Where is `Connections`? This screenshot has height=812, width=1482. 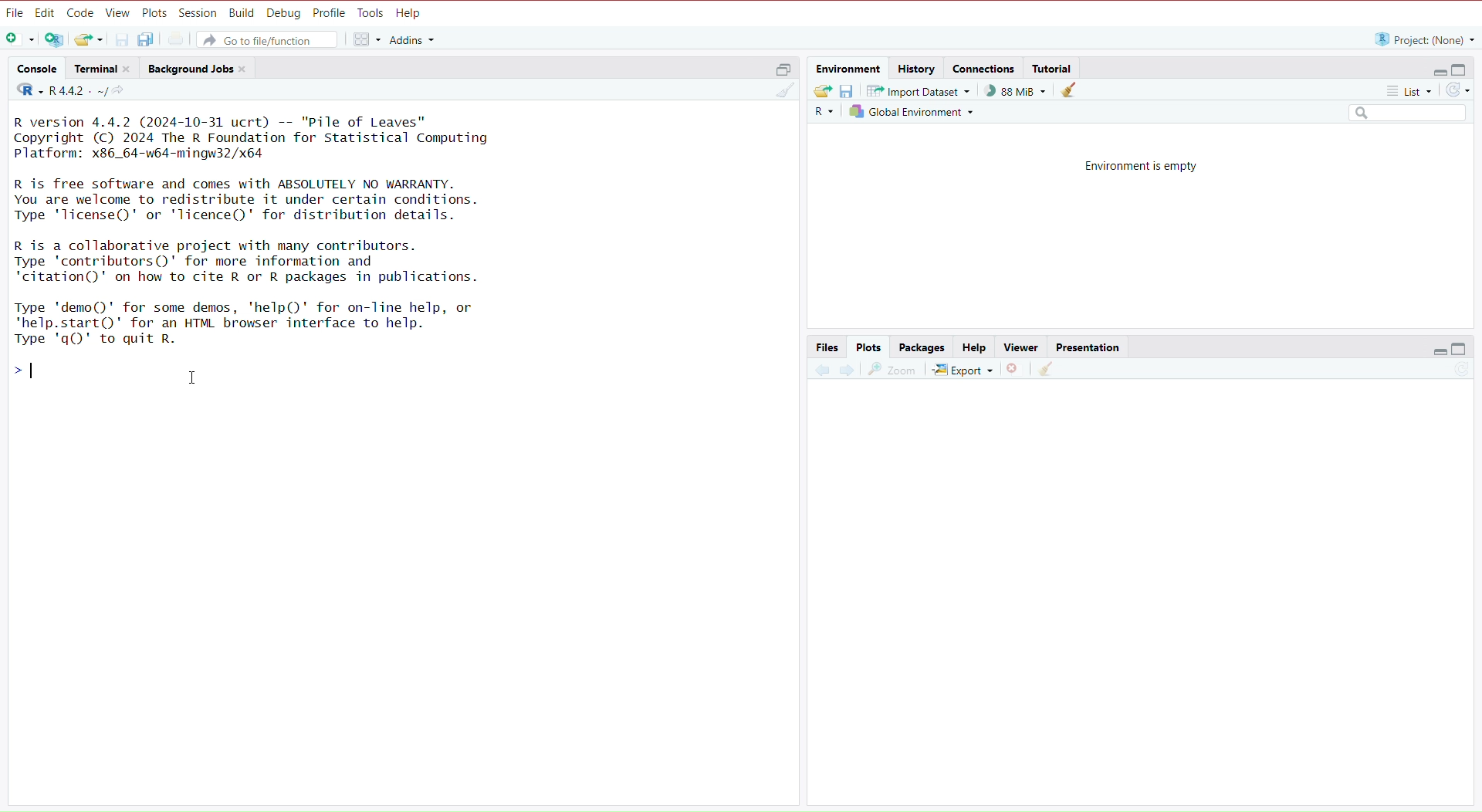
Connections is located at coordinates (983, 66).